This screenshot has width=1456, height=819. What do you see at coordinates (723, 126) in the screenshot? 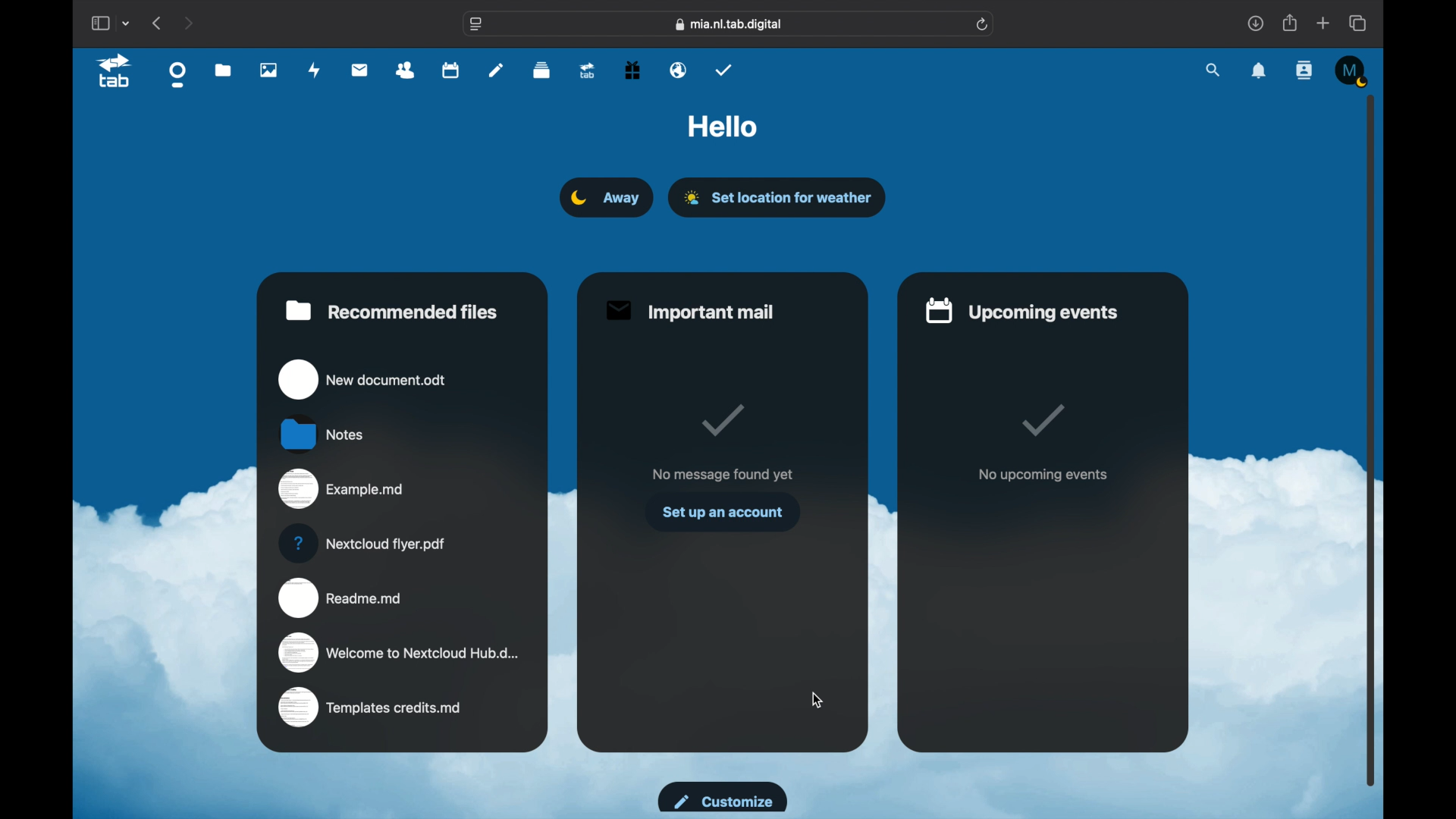
I see `hello` at bounding box center [723, 126].